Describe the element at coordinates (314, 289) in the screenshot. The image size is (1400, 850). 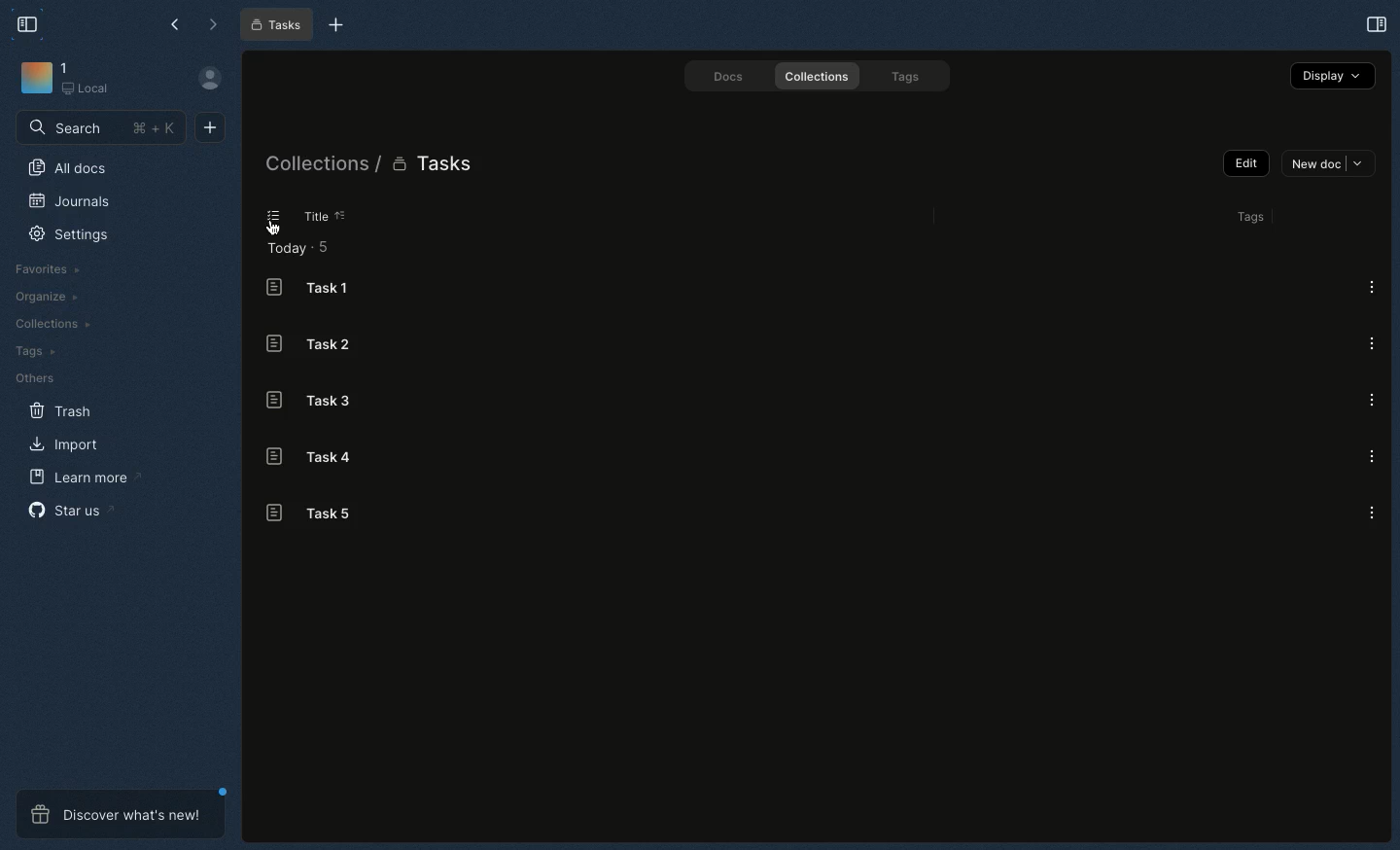
I see `Task 1` at that location.